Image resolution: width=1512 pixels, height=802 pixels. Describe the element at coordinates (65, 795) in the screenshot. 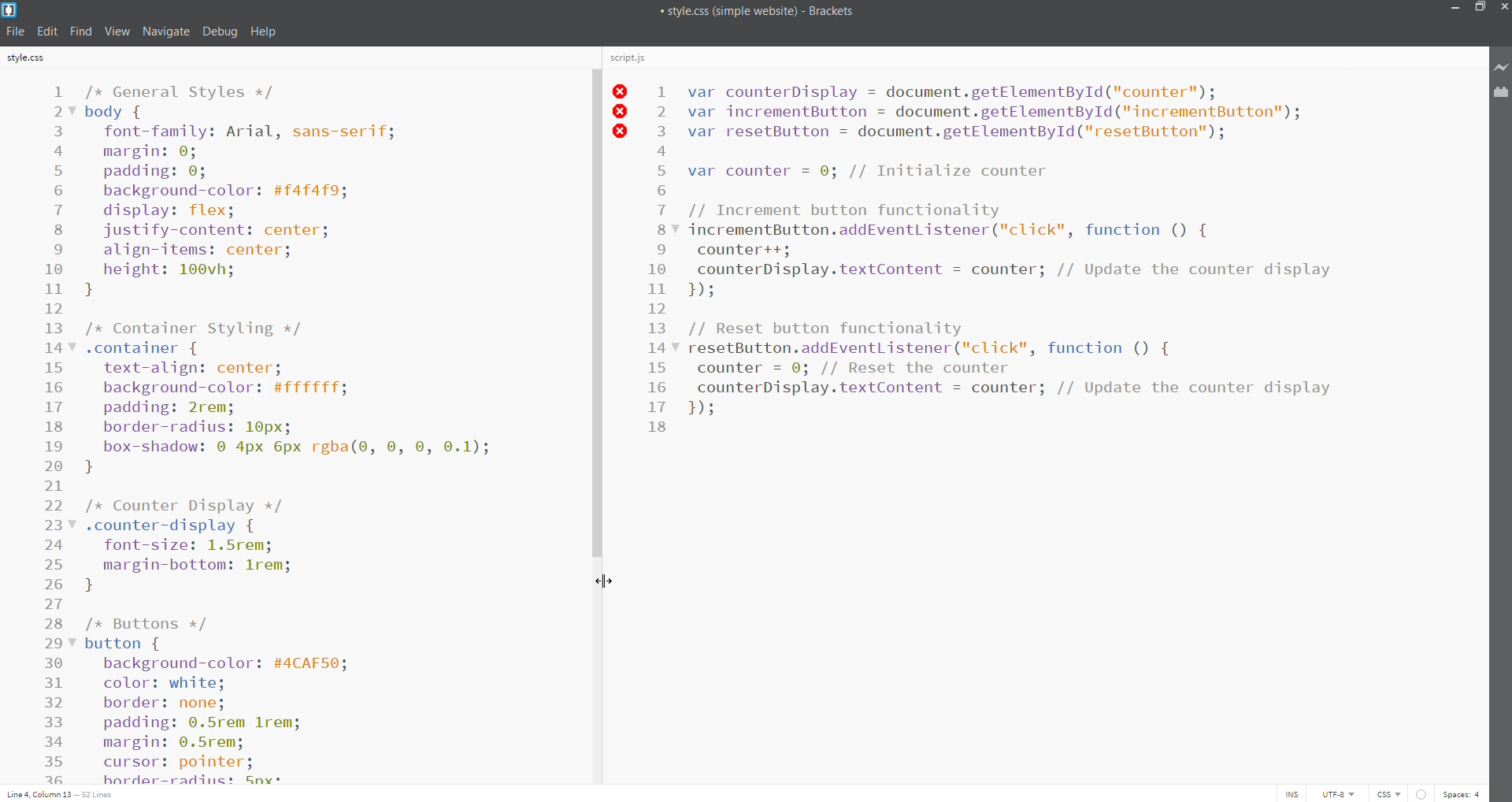

I see `cursor position` at that location.